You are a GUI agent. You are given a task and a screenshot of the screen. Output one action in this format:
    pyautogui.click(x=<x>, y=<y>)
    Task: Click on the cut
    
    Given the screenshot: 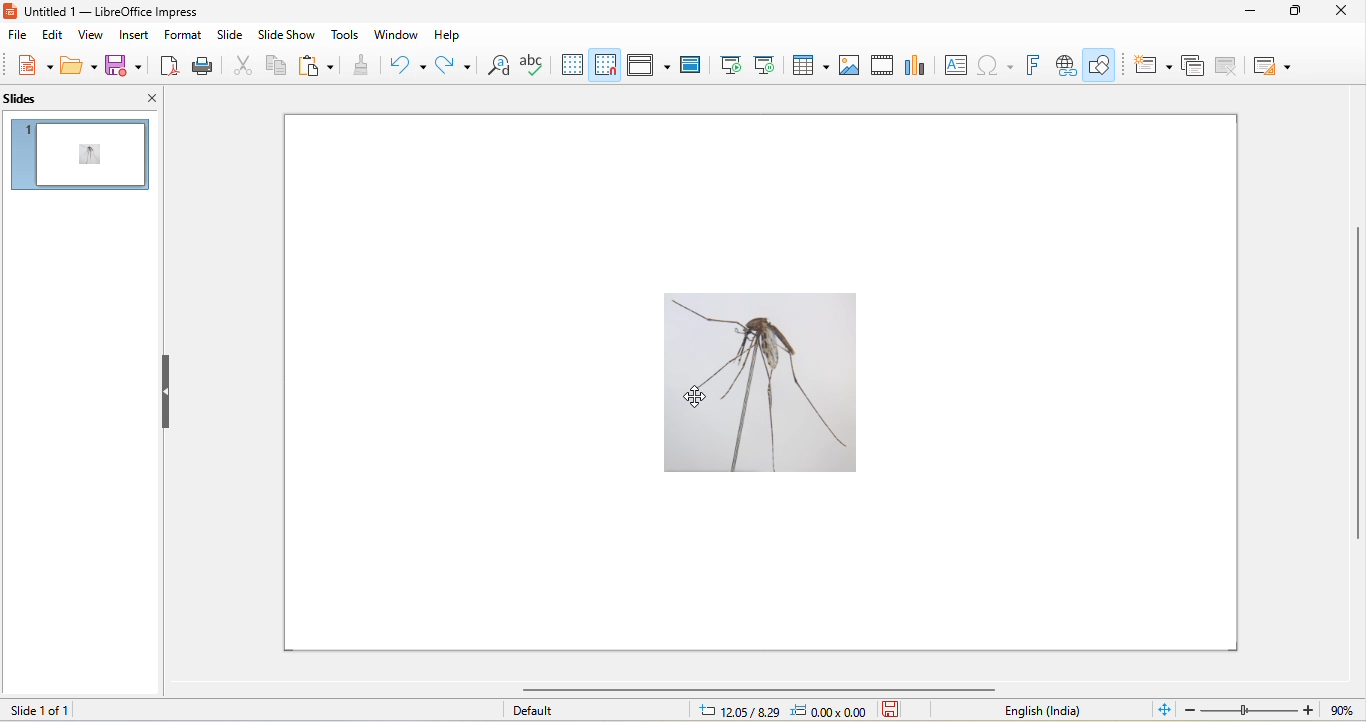 What is the action you would take?
    pyautogui.click(x=247, y=64)
    